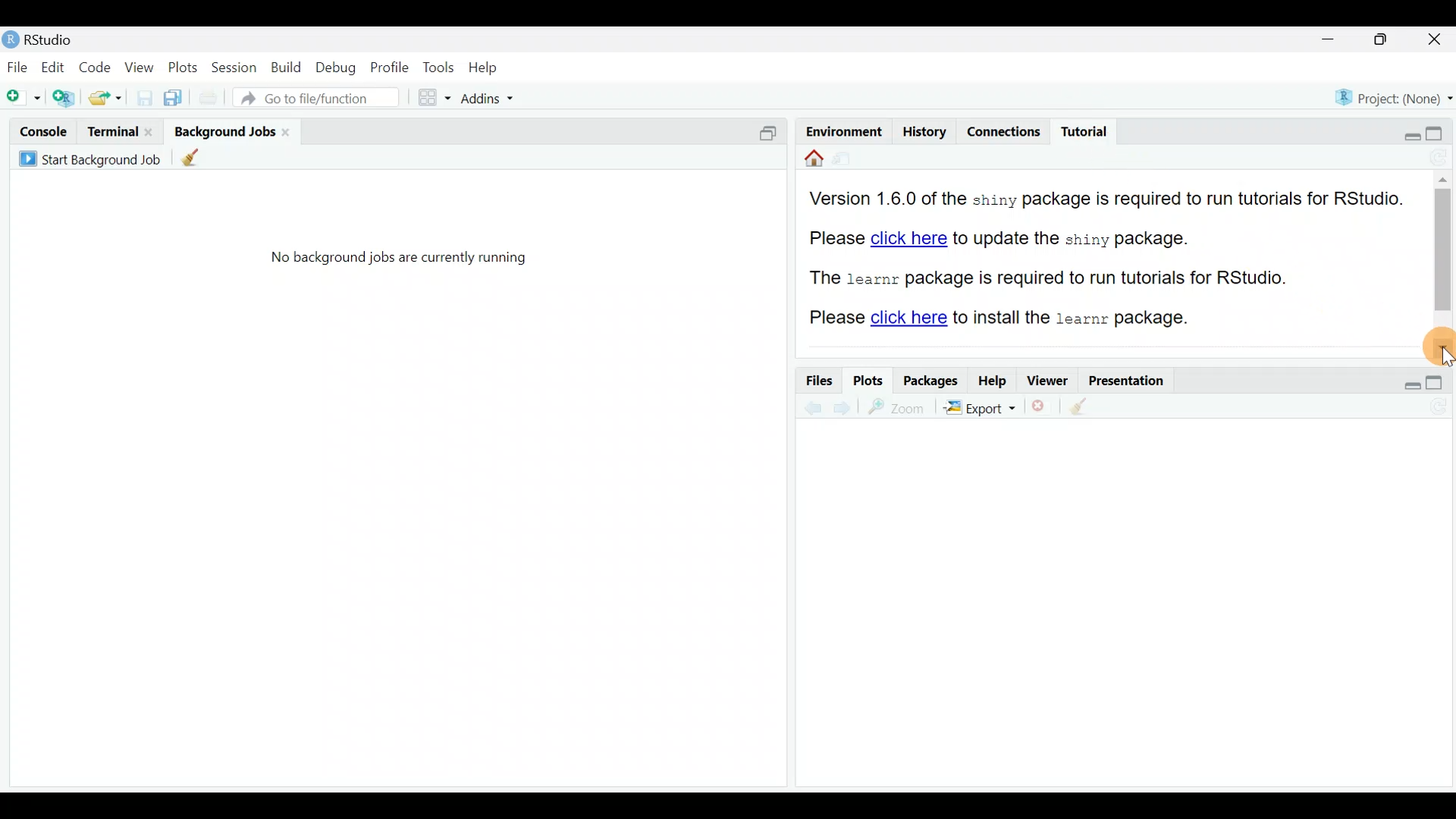  What do you see at coordinates (223, 131) in the screenshot?
I see `Background jobs` at bounding box center [223, 131].